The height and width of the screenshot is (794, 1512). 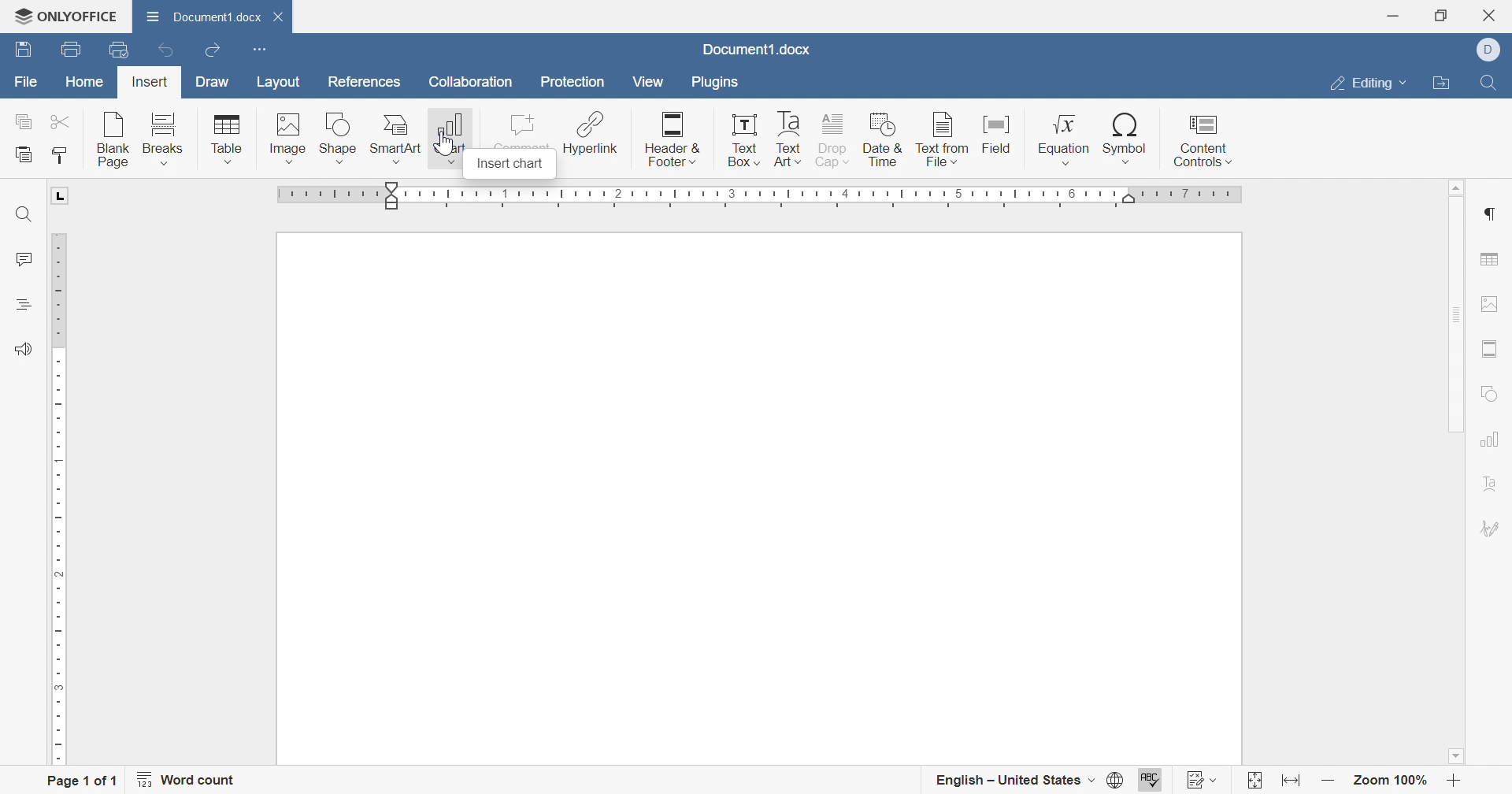 What do you see at coordinates (206, 17) in the screenshot?
I see `Document1.docx` at bounding box center [206, 17].